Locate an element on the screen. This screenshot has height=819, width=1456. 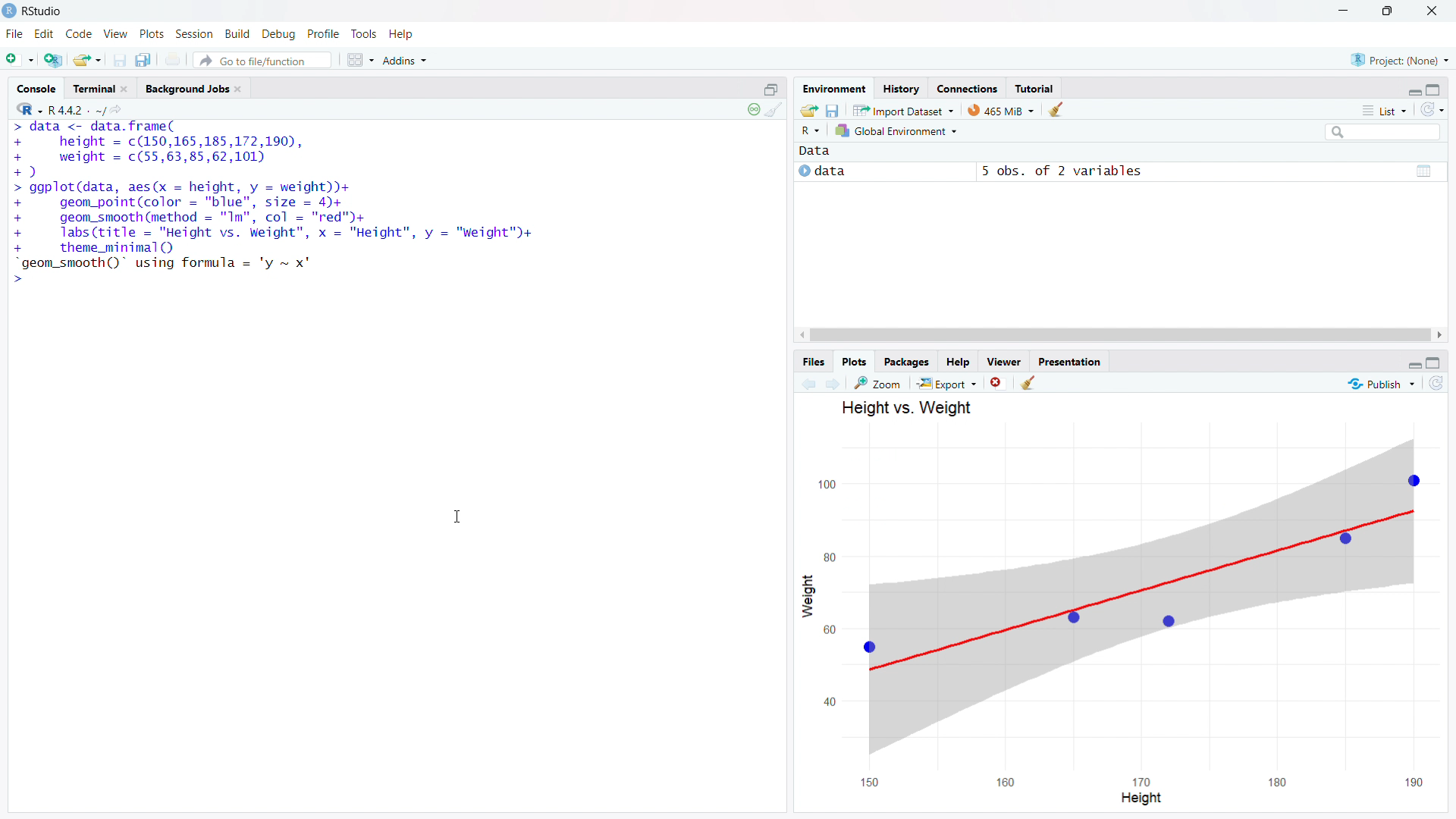
+ weight = c(55,63,85,62,101) is located at coordinates (142, 158).